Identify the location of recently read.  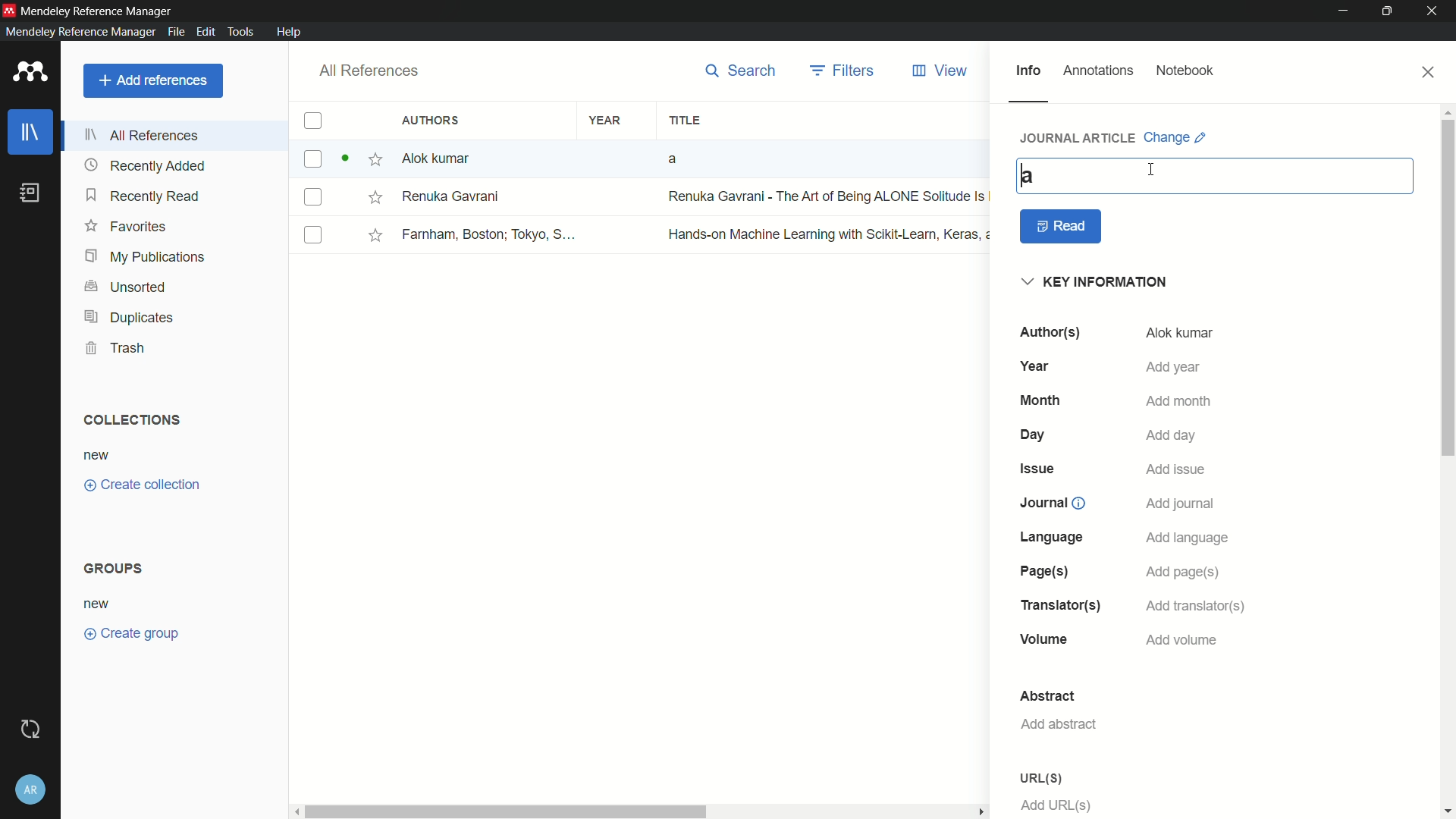
(143, 195).